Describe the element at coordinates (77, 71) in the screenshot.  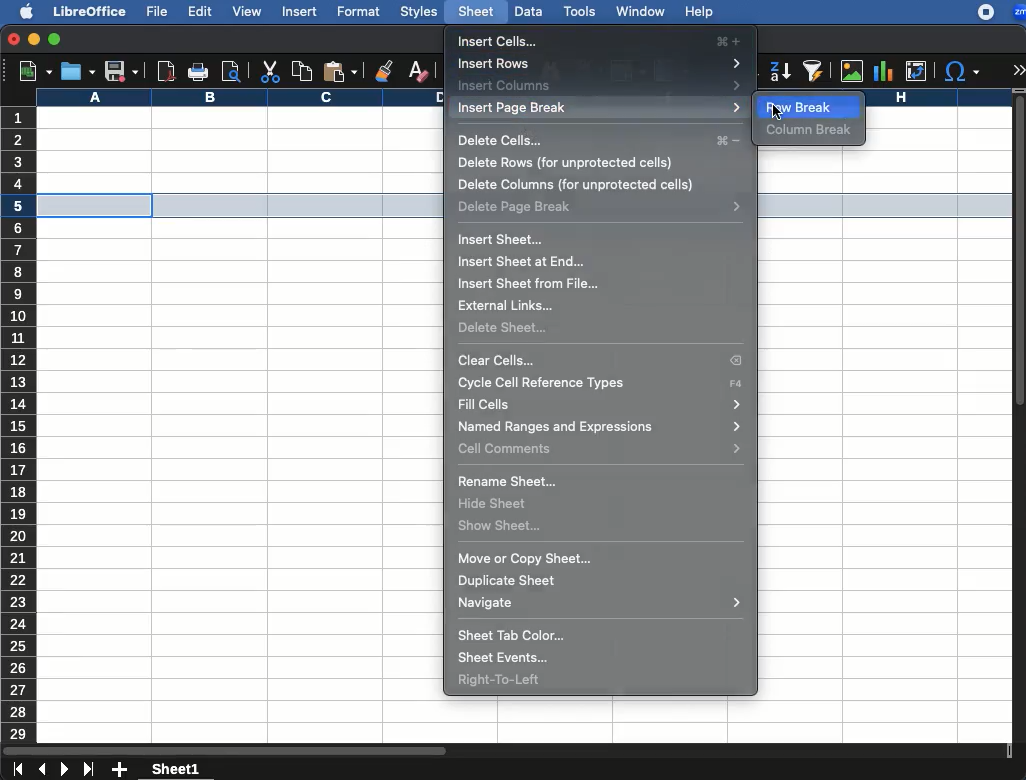
I see `open` at that location.